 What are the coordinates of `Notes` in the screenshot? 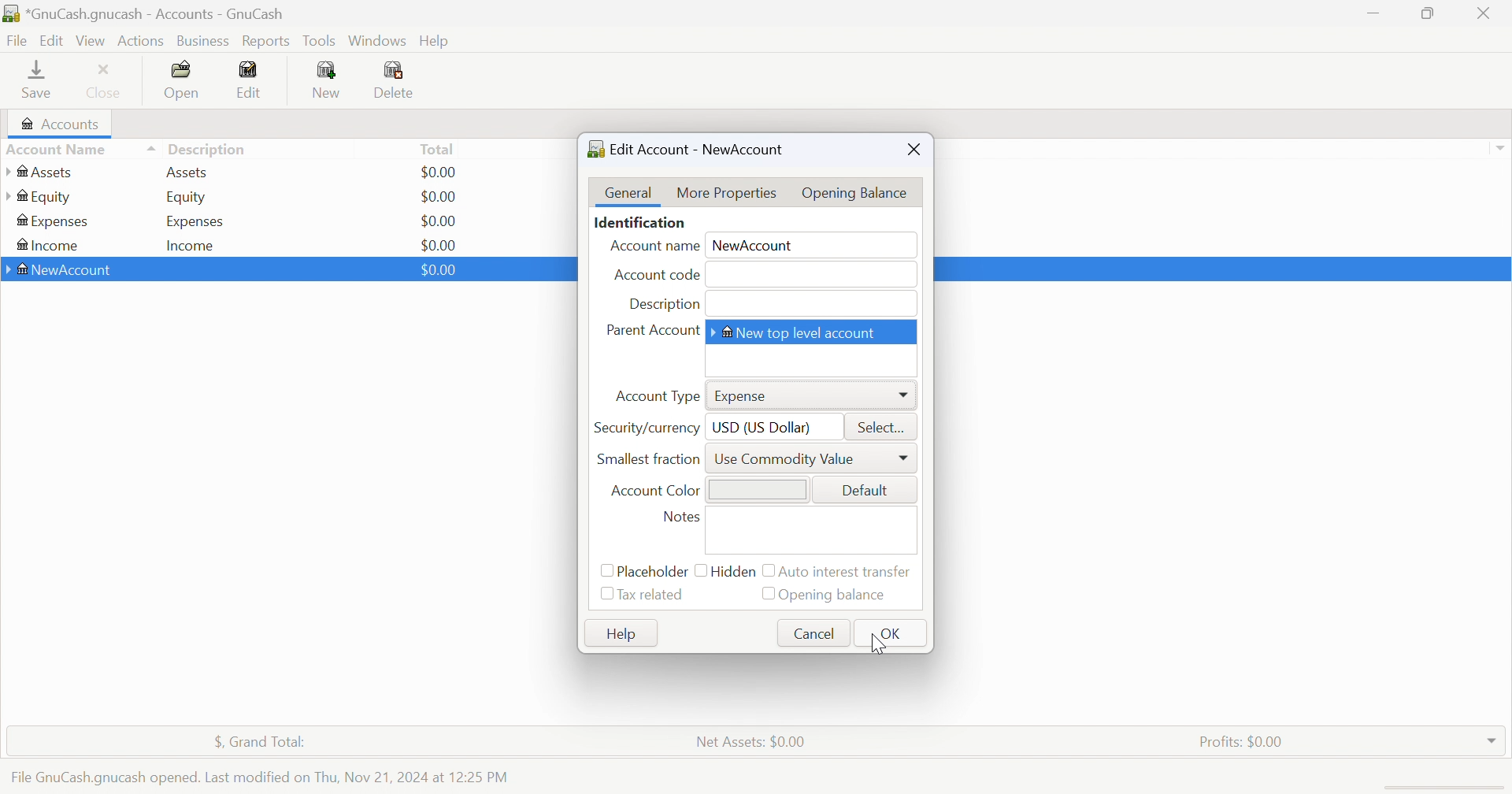 It's located at (682, 518).